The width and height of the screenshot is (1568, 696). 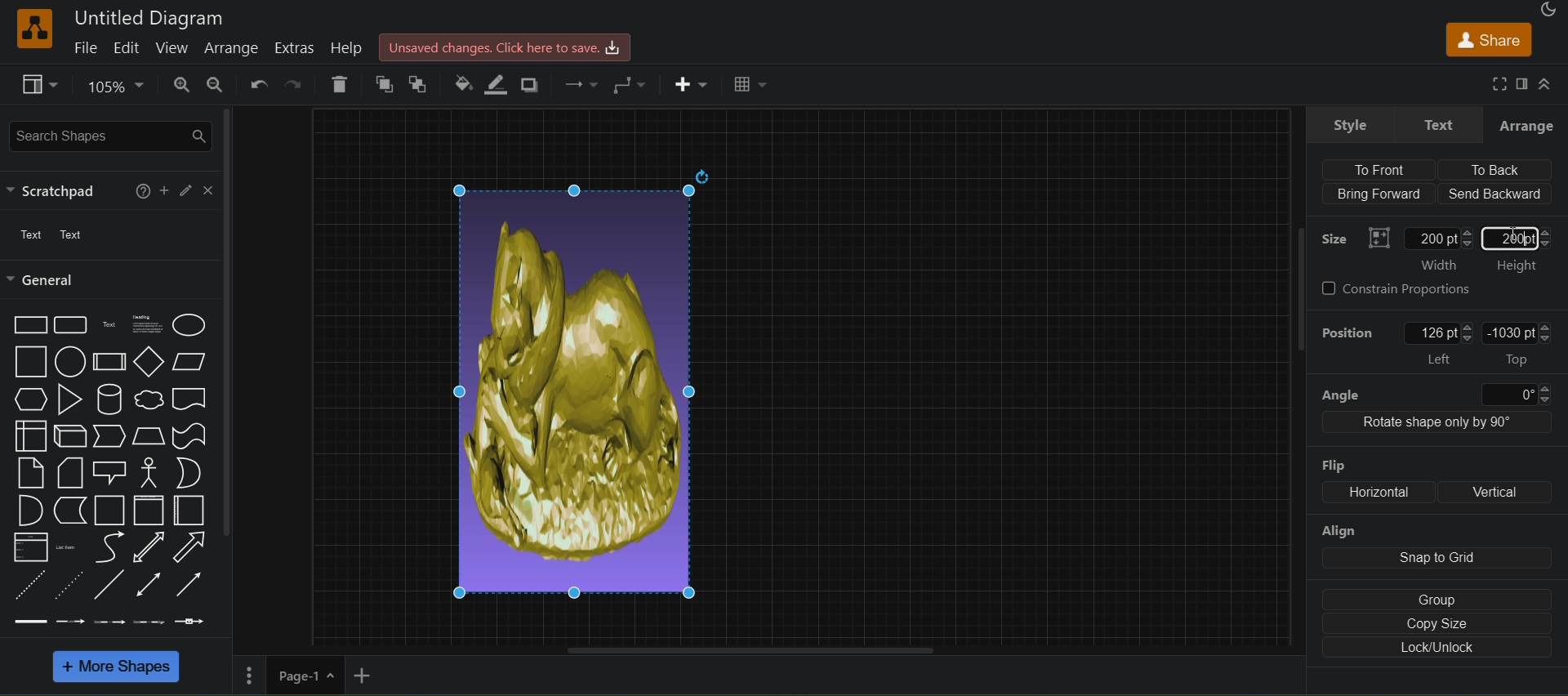 I want to click on Vertical, so click(x=1501, y=490).